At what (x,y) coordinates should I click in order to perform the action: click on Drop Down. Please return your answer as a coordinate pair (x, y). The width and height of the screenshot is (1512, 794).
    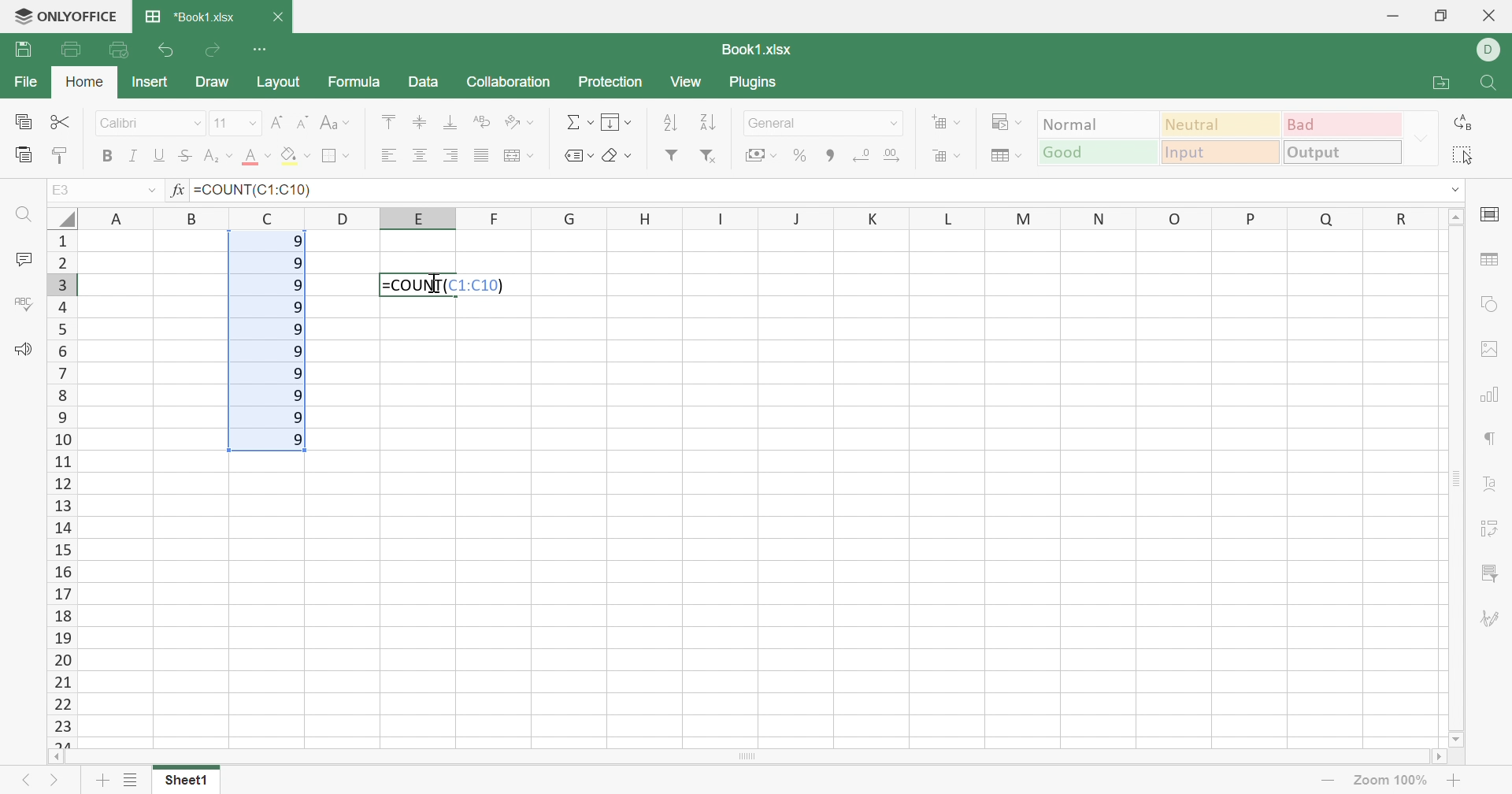
    Looking at the image, I should click on (196, 122).